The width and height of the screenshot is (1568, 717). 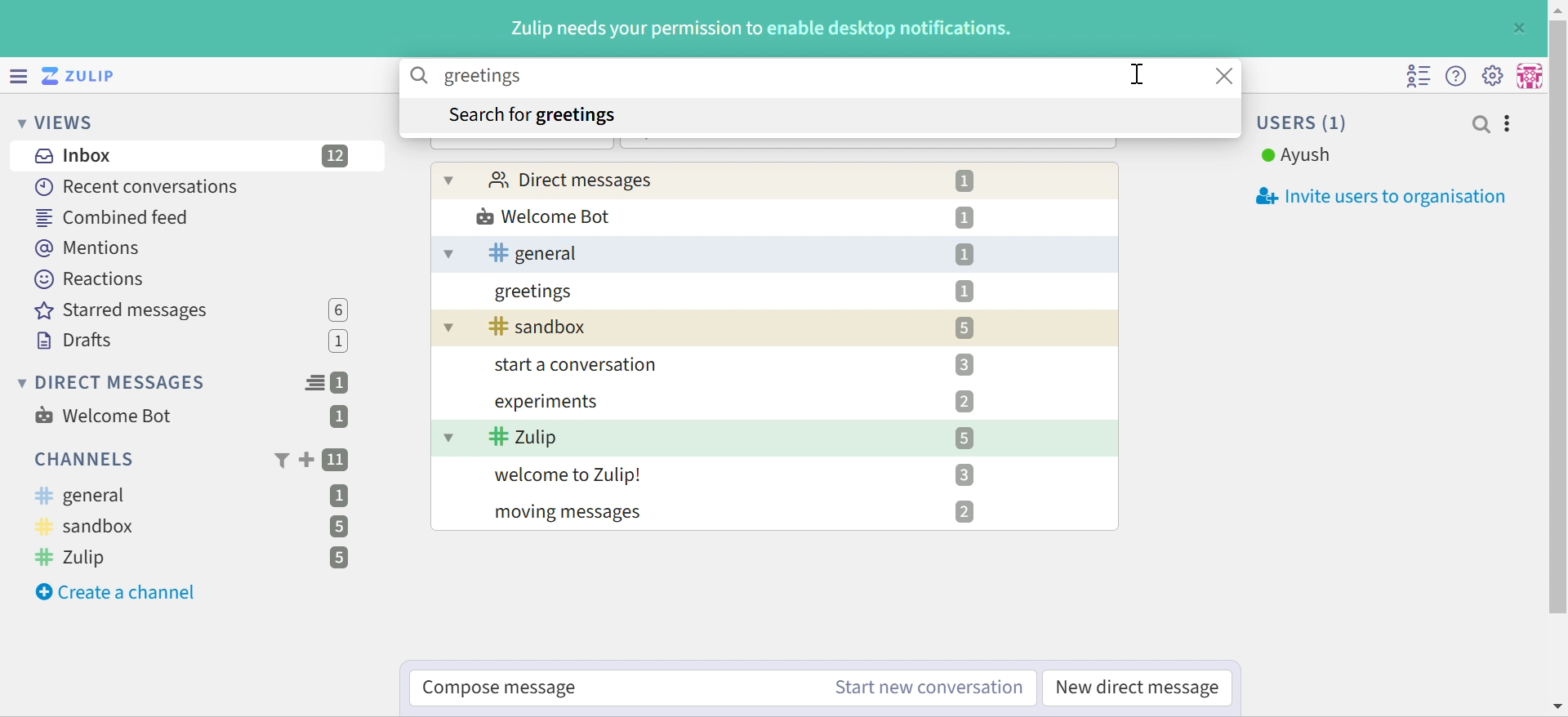 What do you see at coordinates (94, 279) in the screenshot?
I see `Reactions` at bounding box center [94, 279].